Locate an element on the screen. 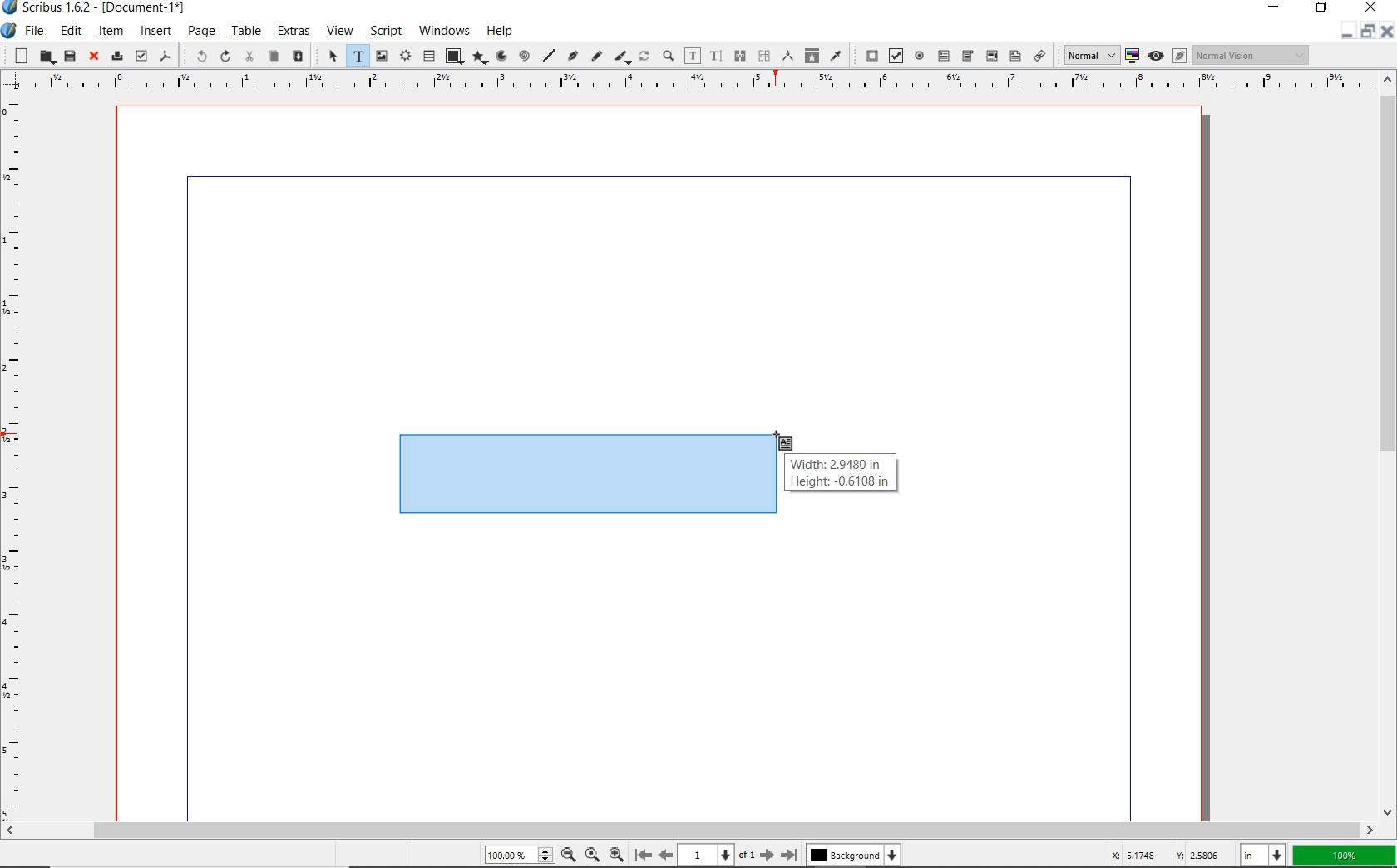  Previous page is located at coordinates (664, 855).